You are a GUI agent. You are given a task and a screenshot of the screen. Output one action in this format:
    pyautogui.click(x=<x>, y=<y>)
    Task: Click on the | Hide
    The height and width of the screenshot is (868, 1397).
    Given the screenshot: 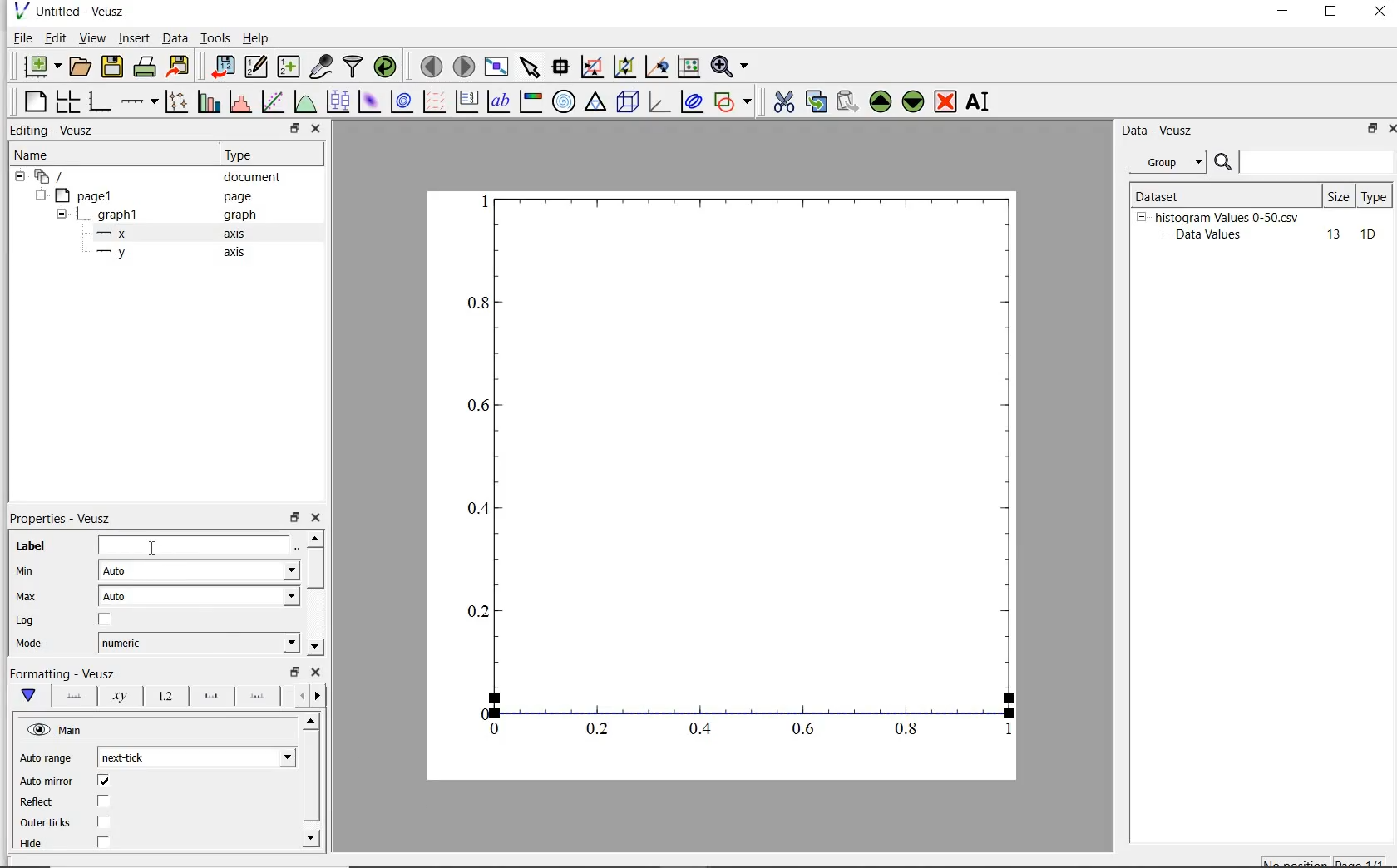 What is the action you would take?
    pyautogui.click(x=30, y=844)
    